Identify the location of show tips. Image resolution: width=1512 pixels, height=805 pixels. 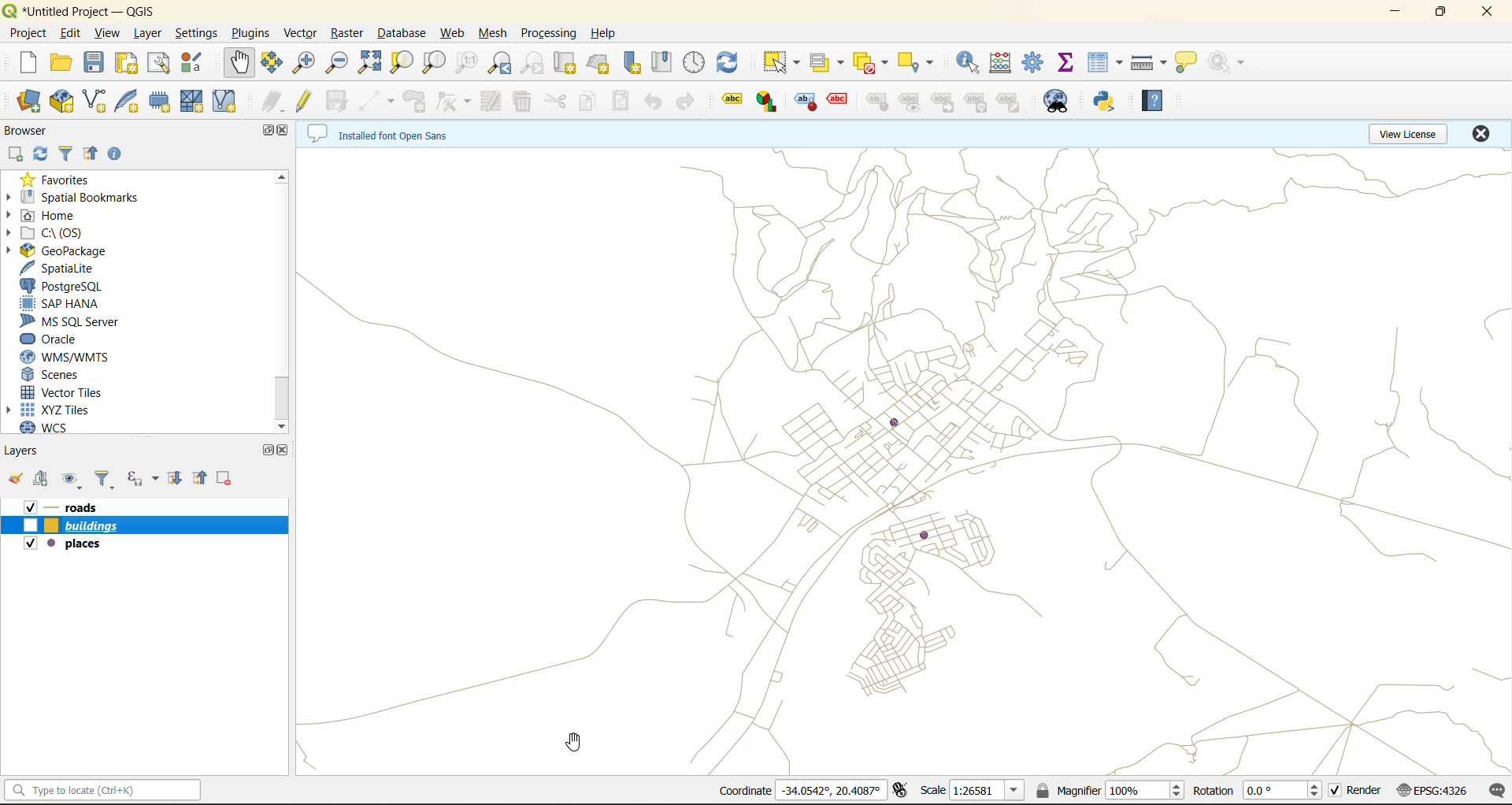
(1193, 61).